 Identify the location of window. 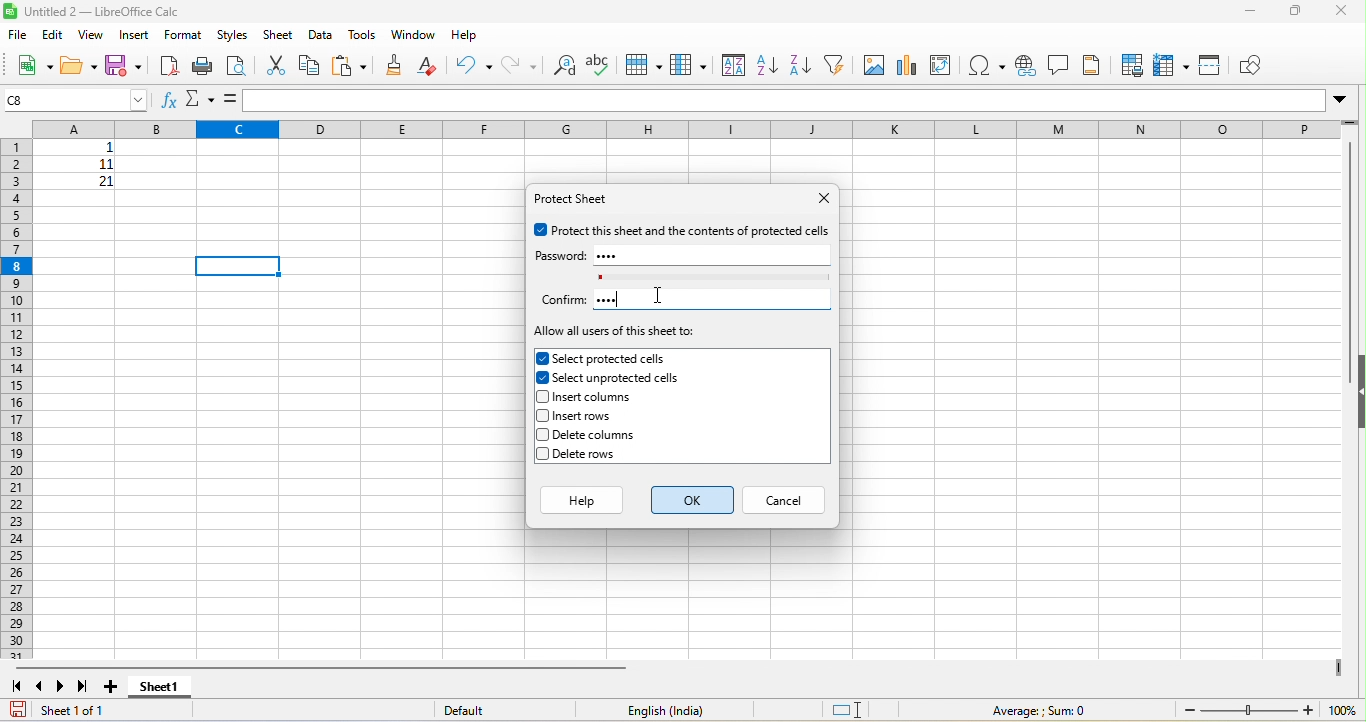
(412, 36).